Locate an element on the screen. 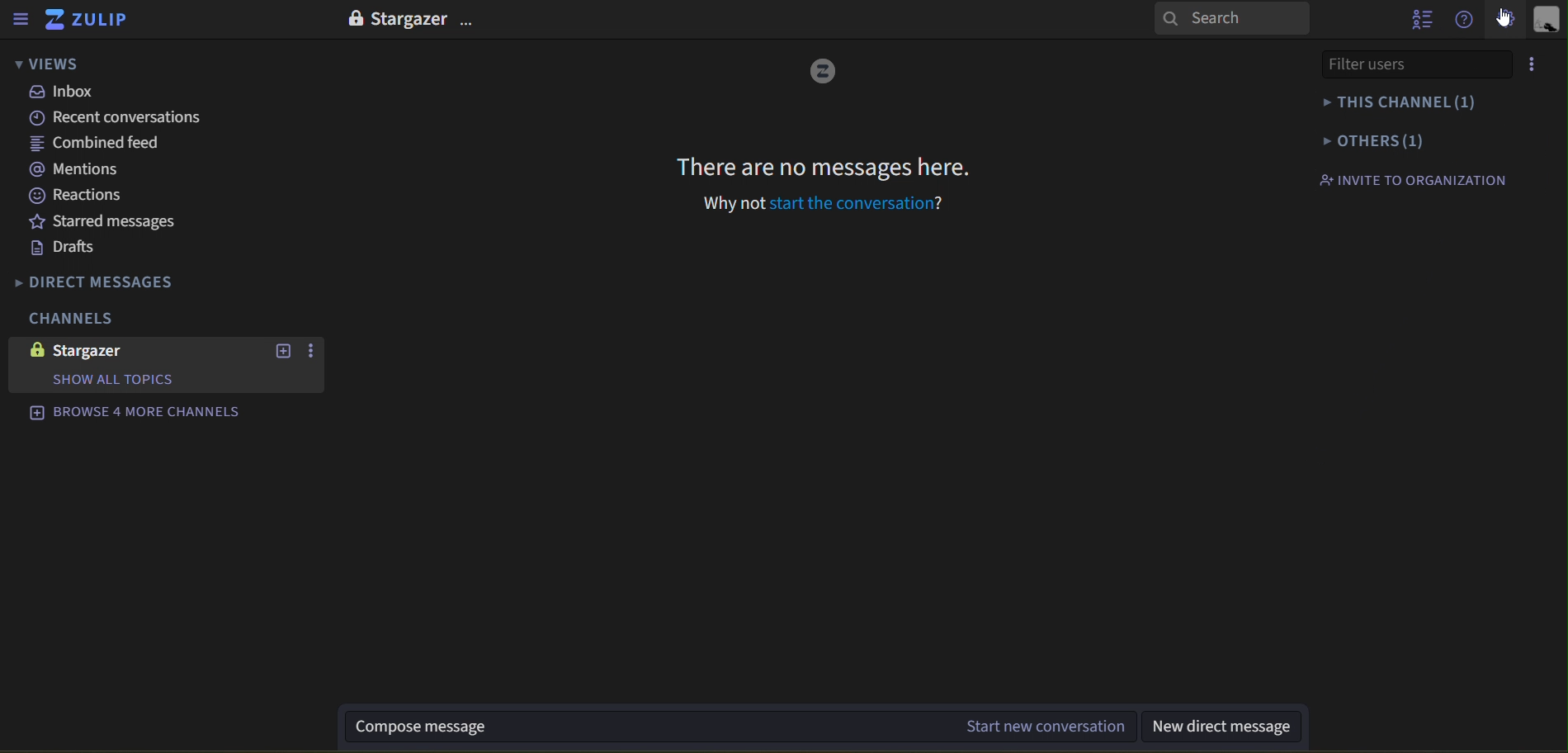 The image size is (1568, 753). options is located at coordinates (1530, 64).